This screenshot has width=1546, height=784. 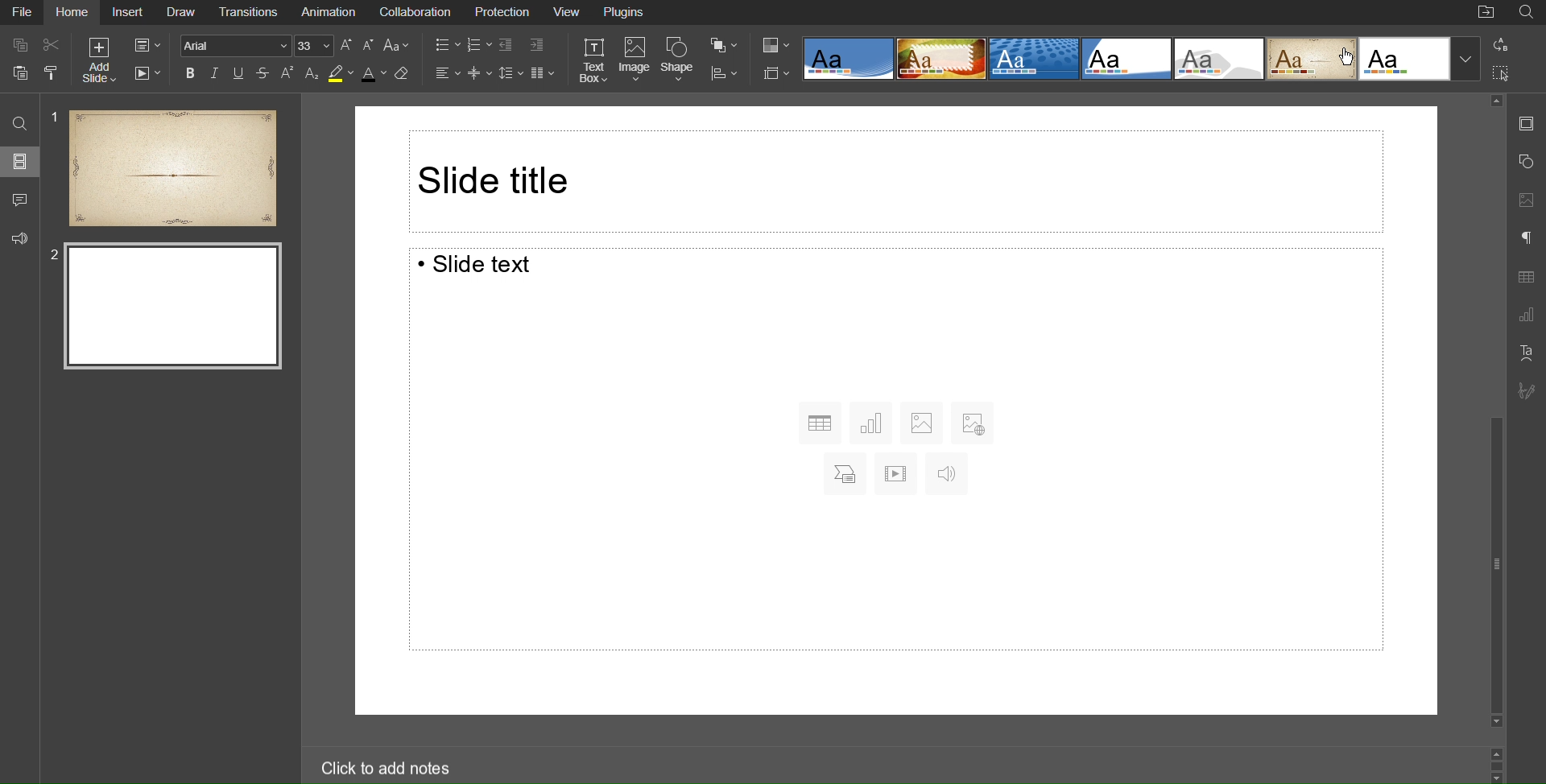 What do you see at coordinates (568, 13) in the screenshot?
I see `View` at bounding box center [568, 13].